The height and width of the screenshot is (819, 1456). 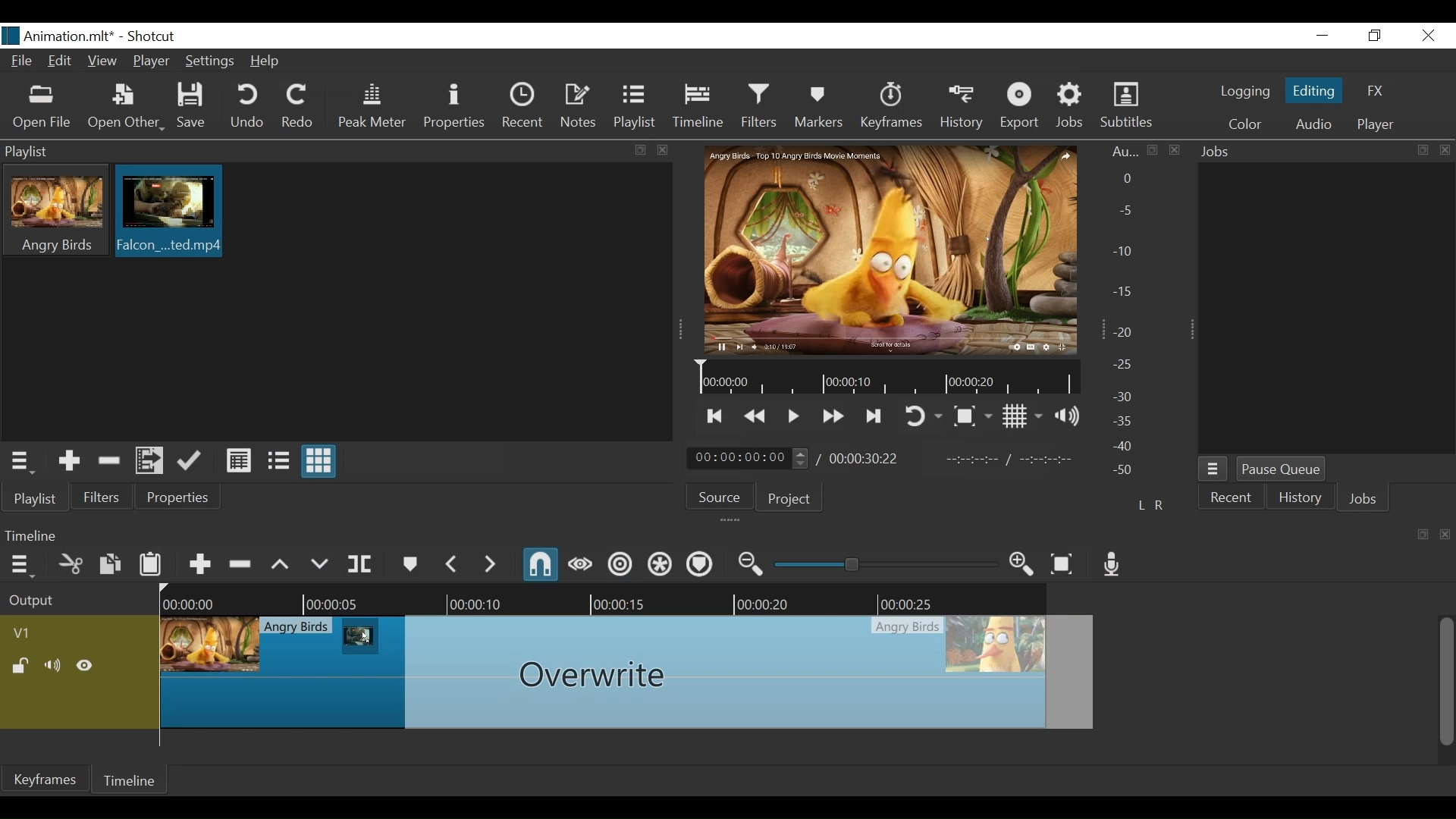 I want to click on View as File, so click(x=278, y=462).